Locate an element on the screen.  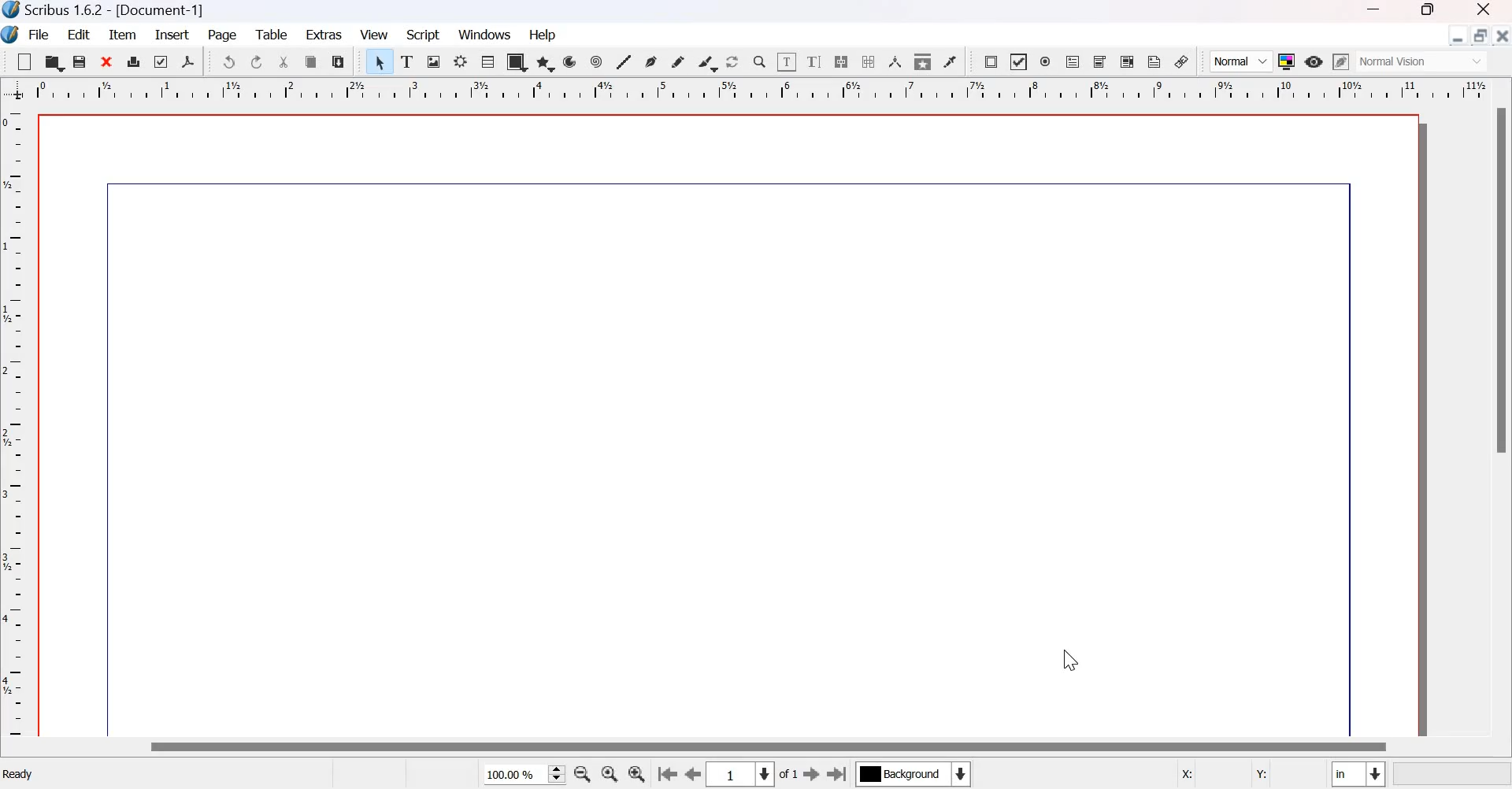
Undo is located at coordinates (230, 62).